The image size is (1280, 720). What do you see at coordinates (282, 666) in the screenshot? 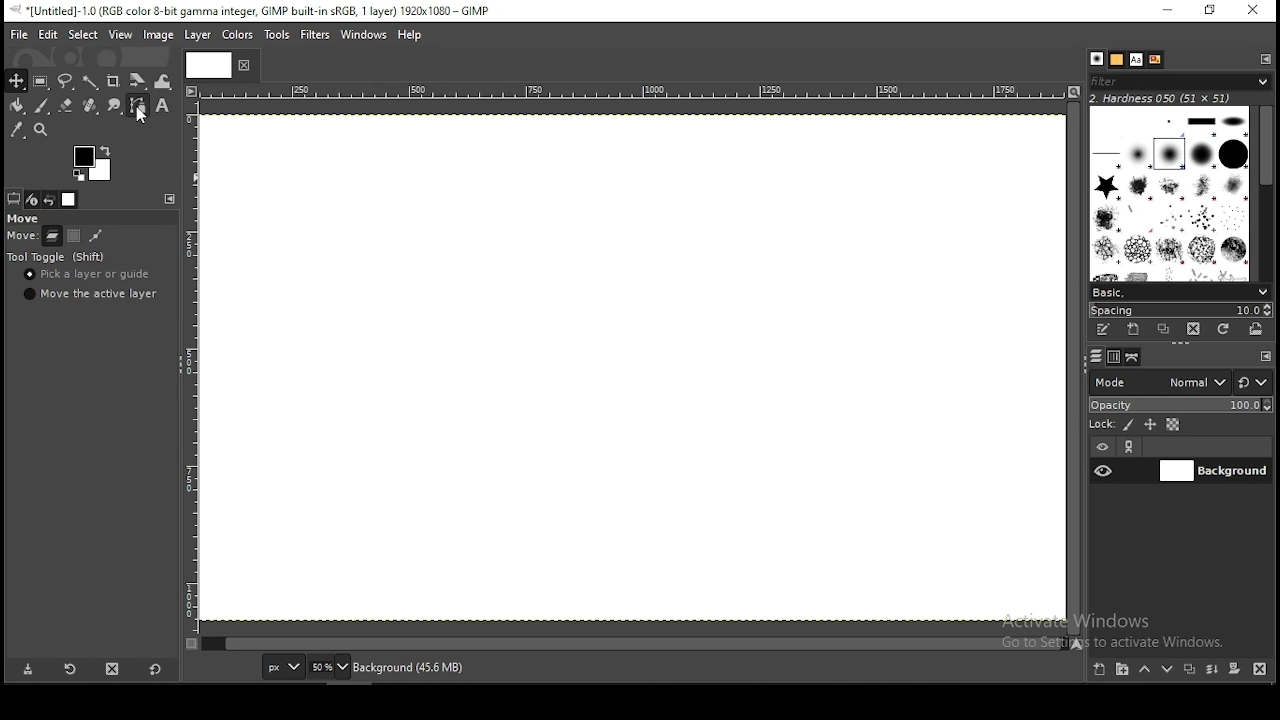
I see `units` at bounding box center [282, 666].